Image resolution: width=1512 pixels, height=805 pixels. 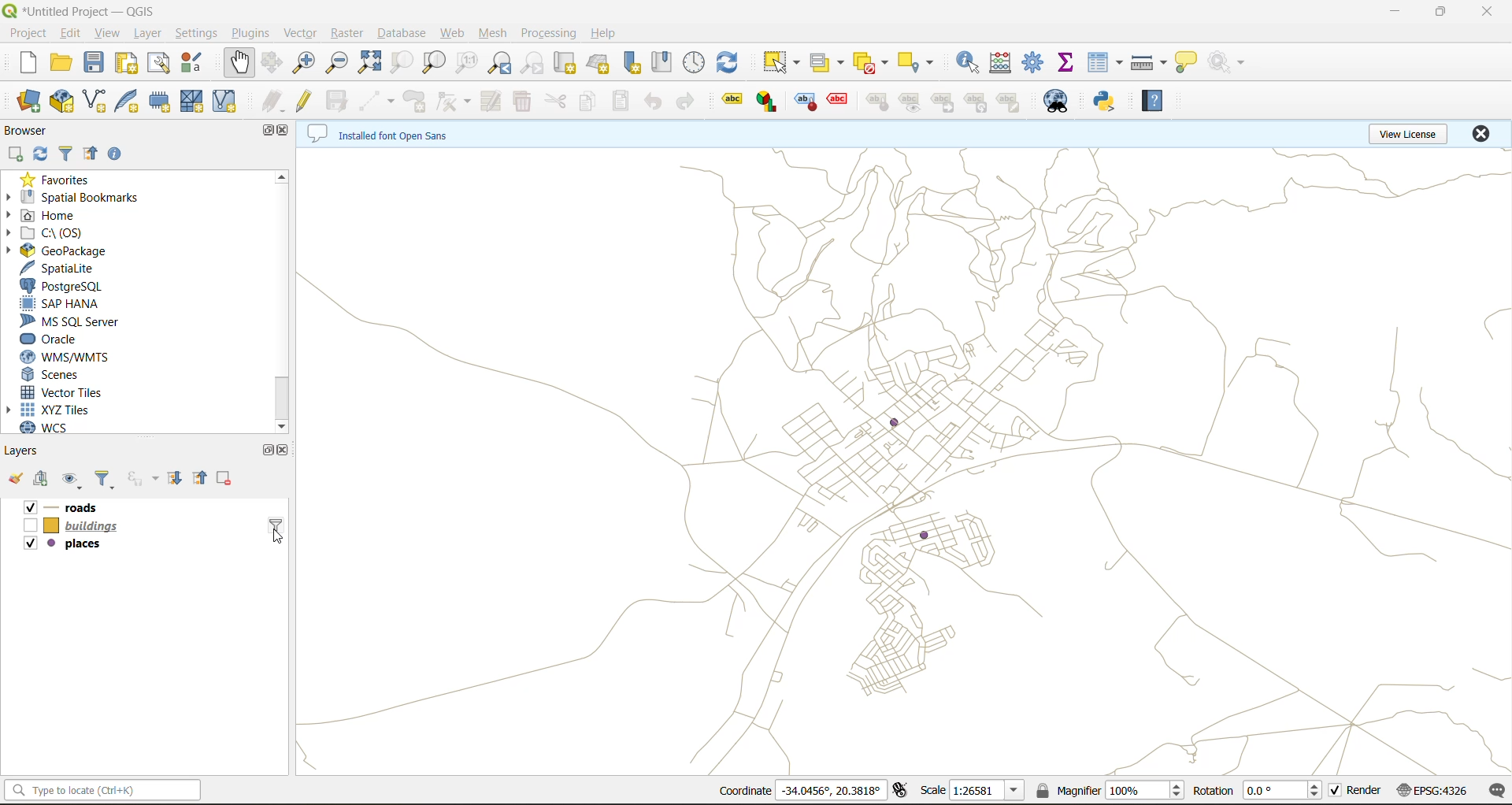 What do you see at coordinates (1255, 793) in the screenshot?
I see `rotation` at bounding box center [1255, 793].